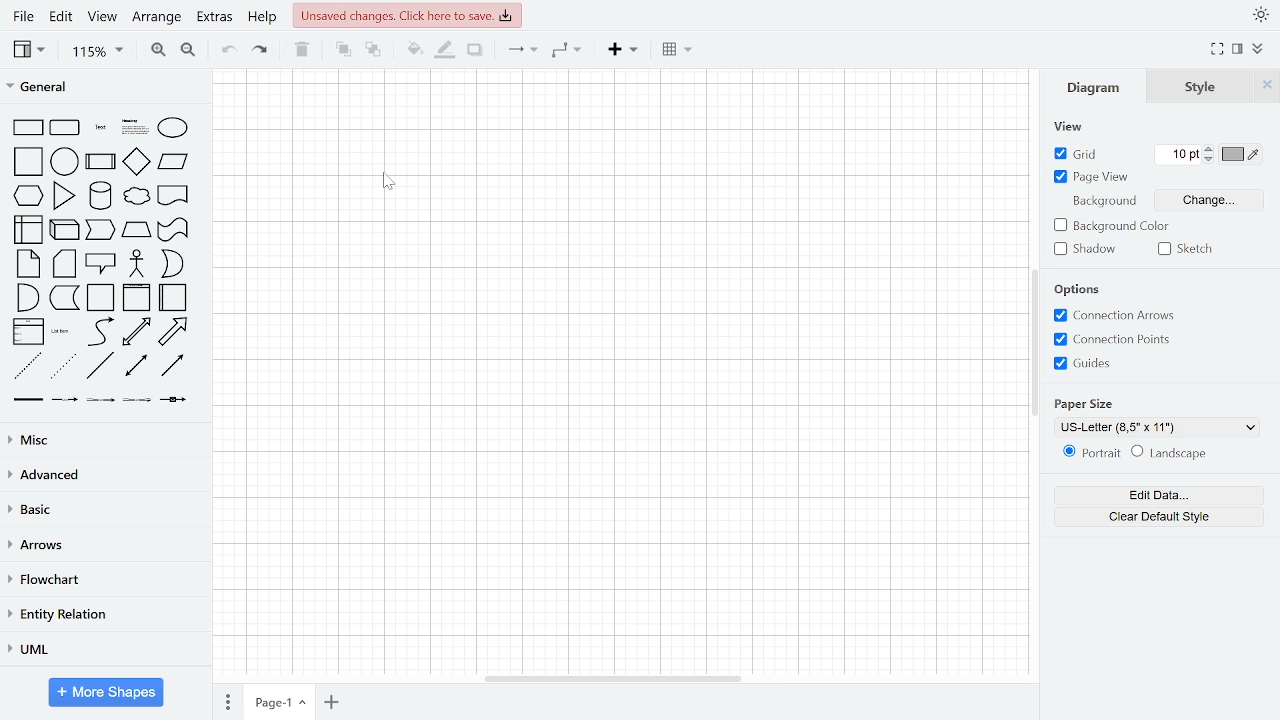 This screenshot has width=1280, height=720. Describe the element at coordinates (101, 230) in the screenshot. I see `step` at that location.